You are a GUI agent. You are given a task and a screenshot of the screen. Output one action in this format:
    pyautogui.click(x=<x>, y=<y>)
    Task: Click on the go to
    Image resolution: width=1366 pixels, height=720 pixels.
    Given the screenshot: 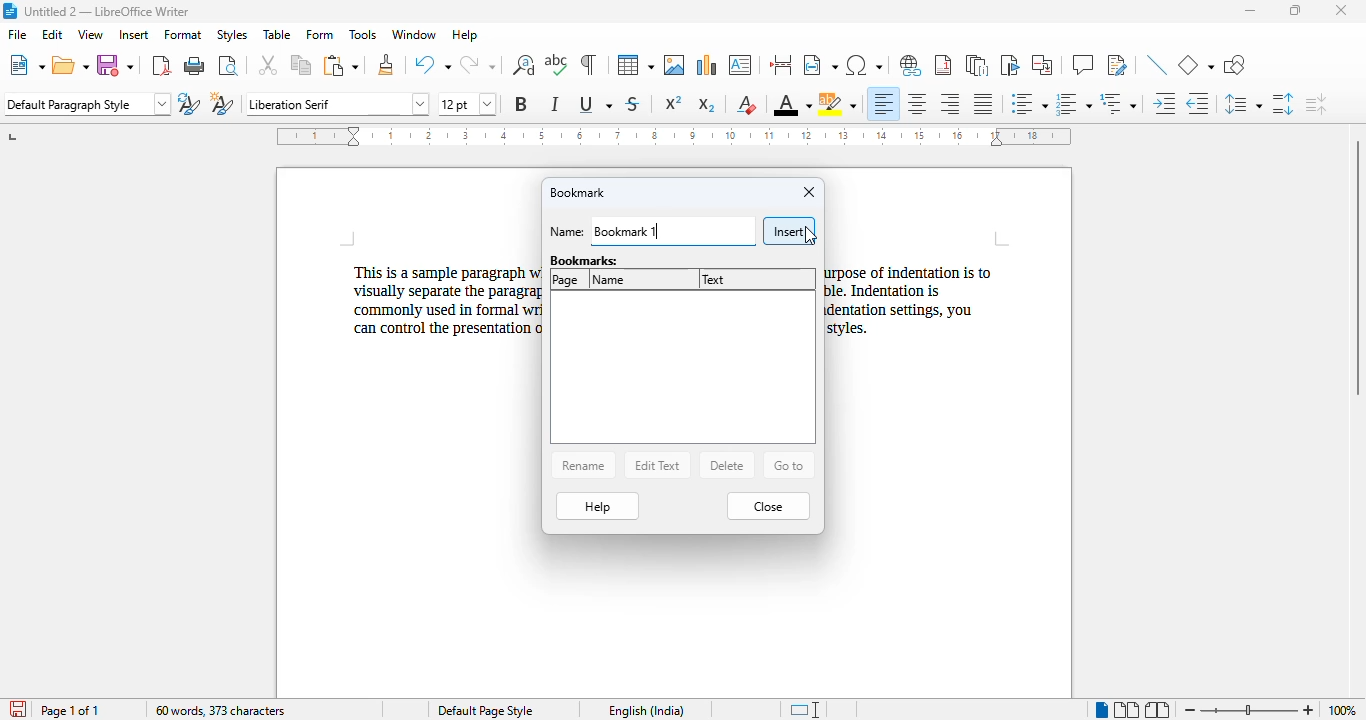 What is the action you would take?
    pyautogui.click(x=789, y=465)
    